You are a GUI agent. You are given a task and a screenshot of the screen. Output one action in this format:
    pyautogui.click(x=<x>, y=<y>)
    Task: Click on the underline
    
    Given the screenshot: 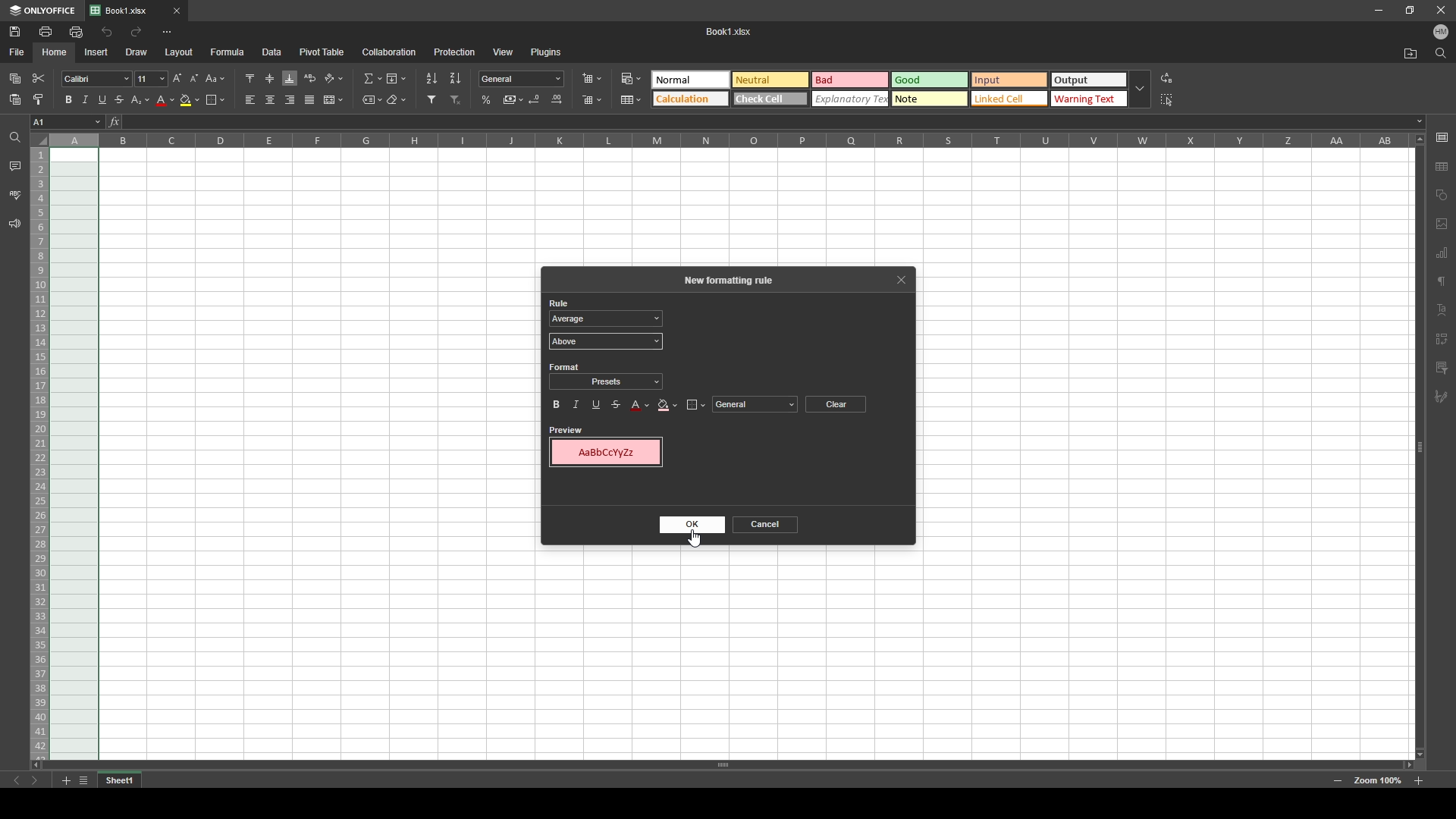 What is the action you would take?
    pyautogui.click(x=598, y=403)
    